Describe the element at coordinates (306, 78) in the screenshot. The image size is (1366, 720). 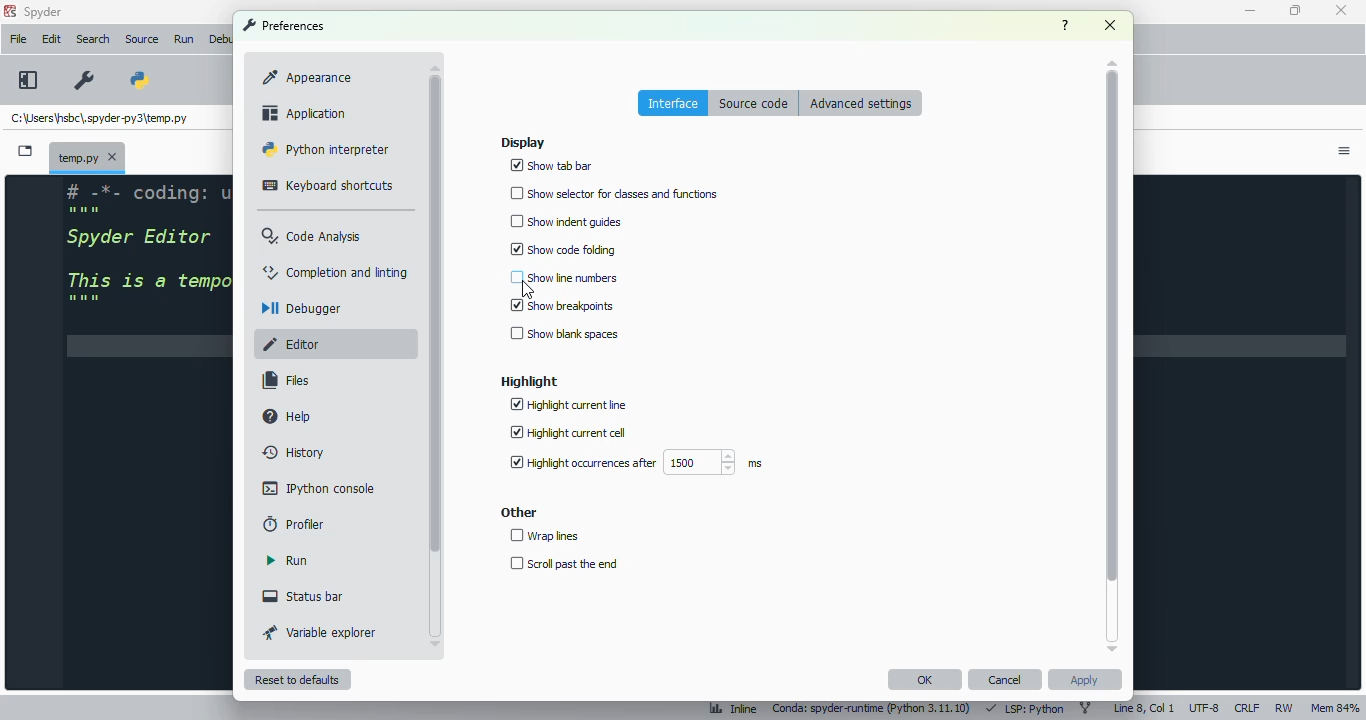
I see `appearance` at that location.